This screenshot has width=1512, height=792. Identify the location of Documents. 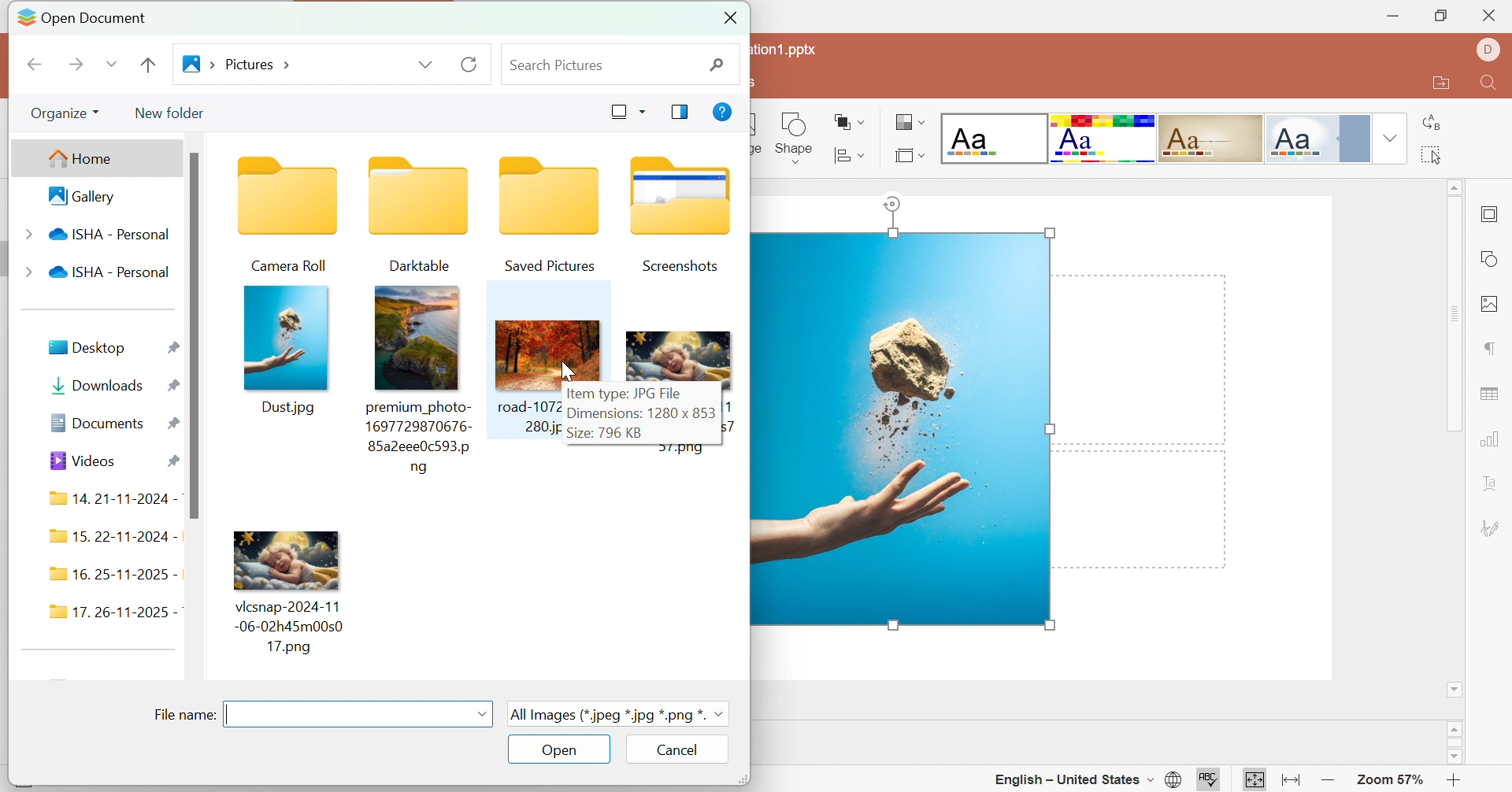
(97, 423).